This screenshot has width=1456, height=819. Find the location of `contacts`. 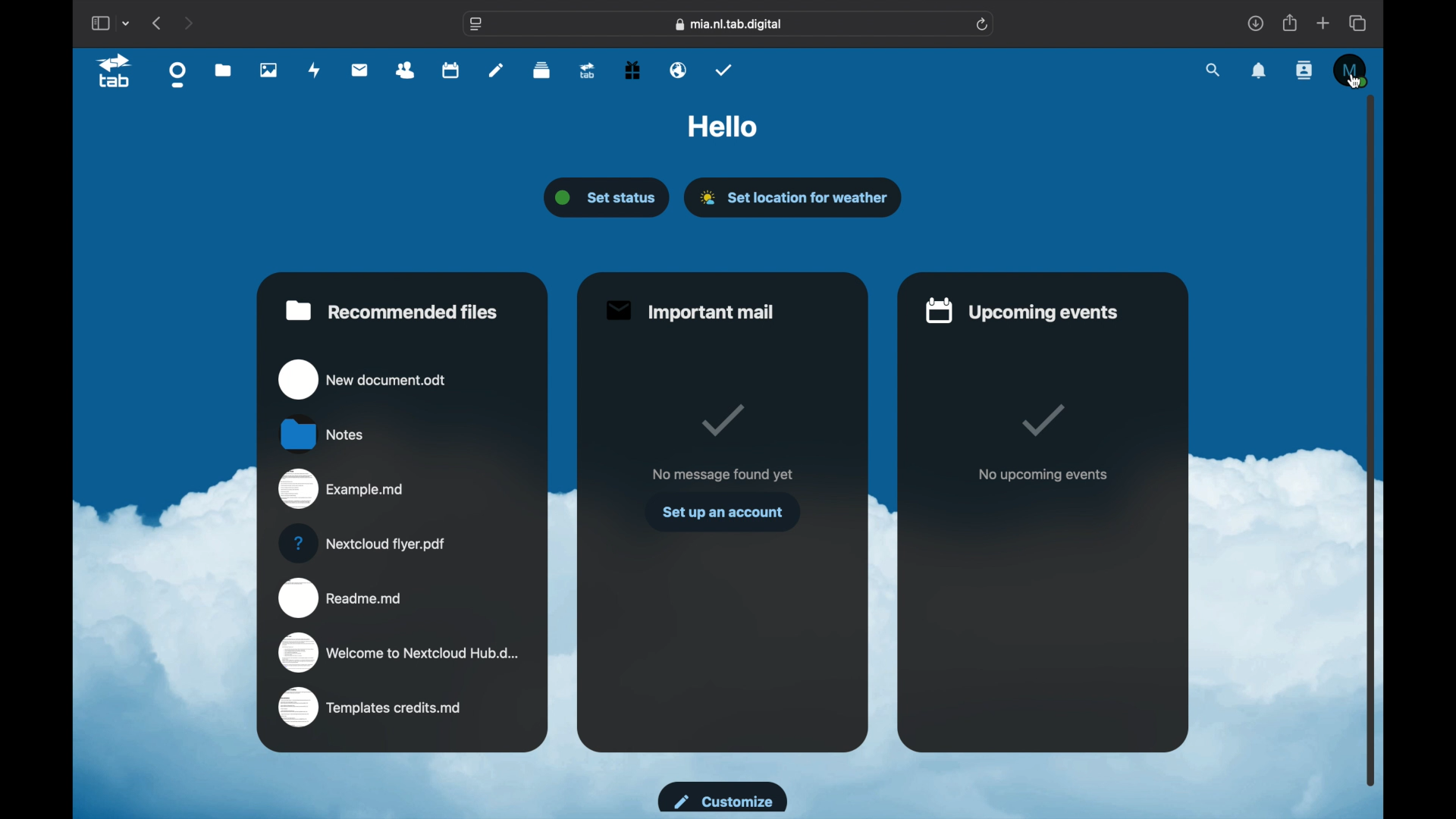

contacts is located at coordinates (1303, 70).